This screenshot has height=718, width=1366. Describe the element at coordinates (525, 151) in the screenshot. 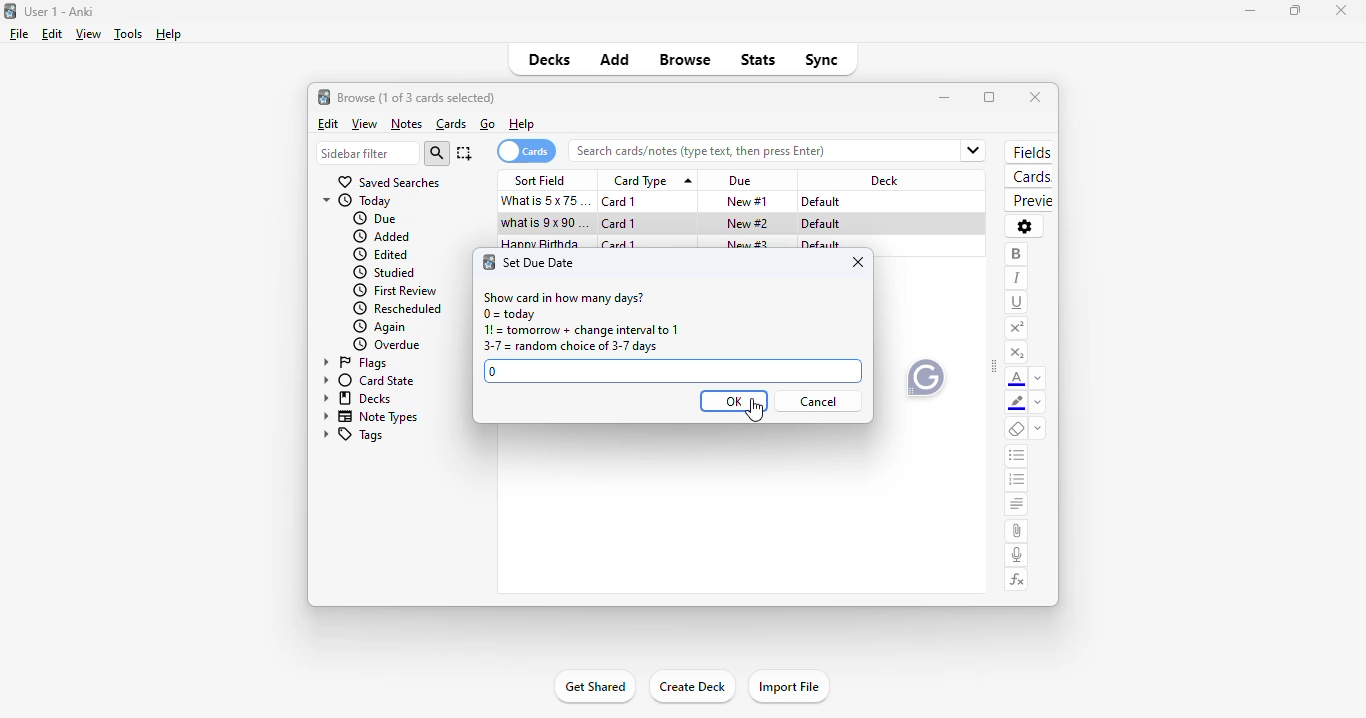

I see `cards` at that location.